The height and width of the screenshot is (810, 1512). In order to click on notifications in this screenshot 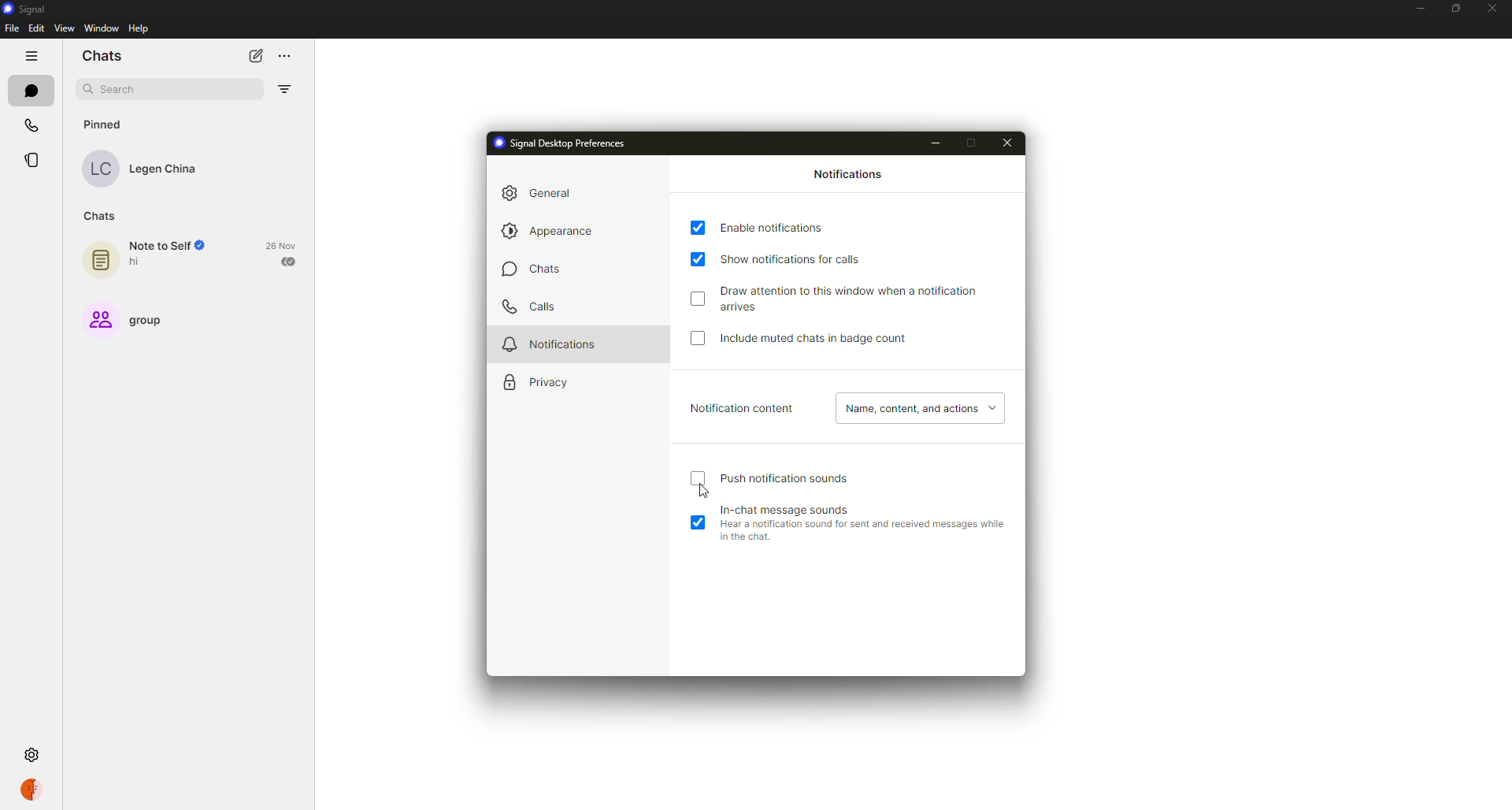, I will do `click(550, 344)`.